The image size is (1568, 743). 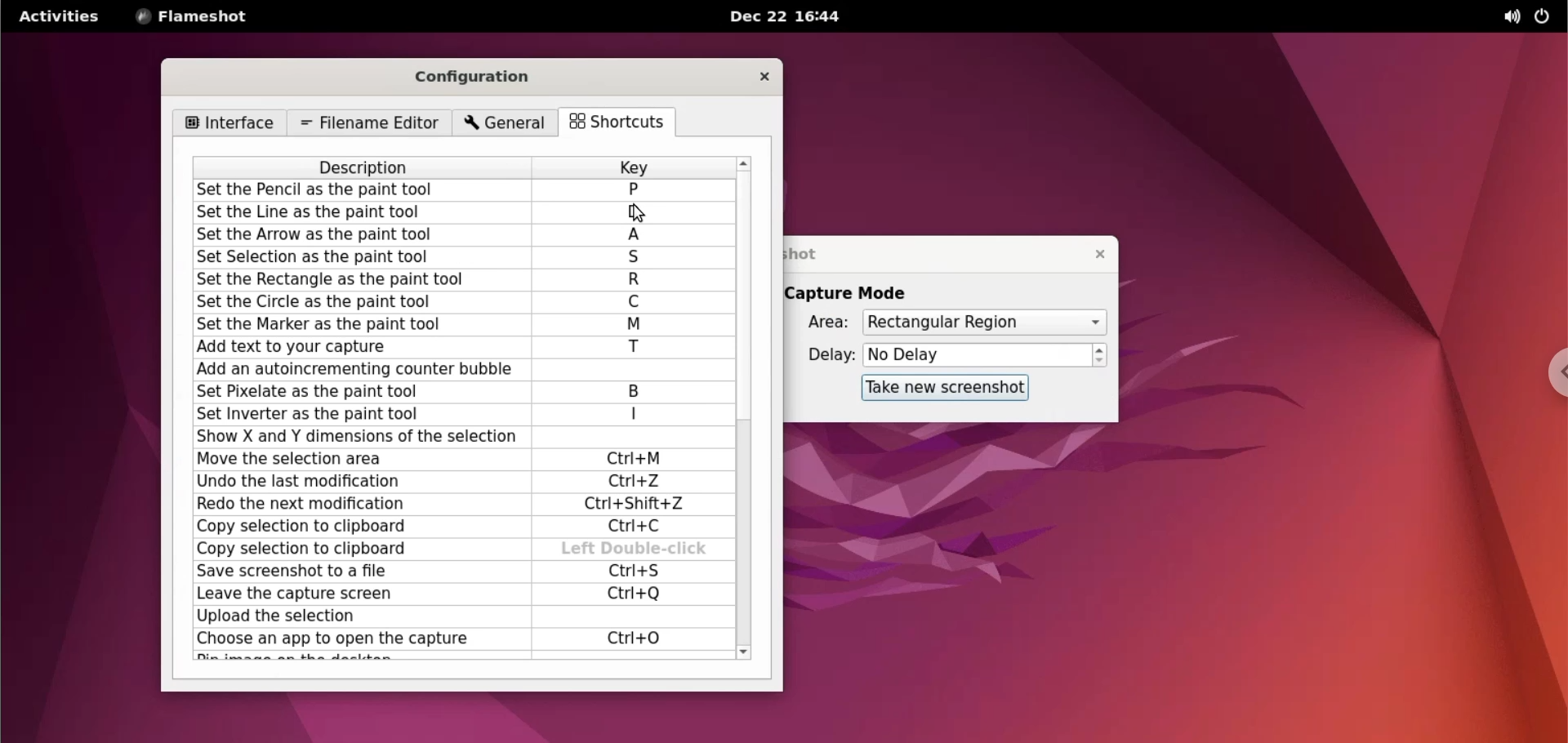 What do you see at coordinates (763, 76) in the screenshot?
I see `close` at bounding box center [763, 76].